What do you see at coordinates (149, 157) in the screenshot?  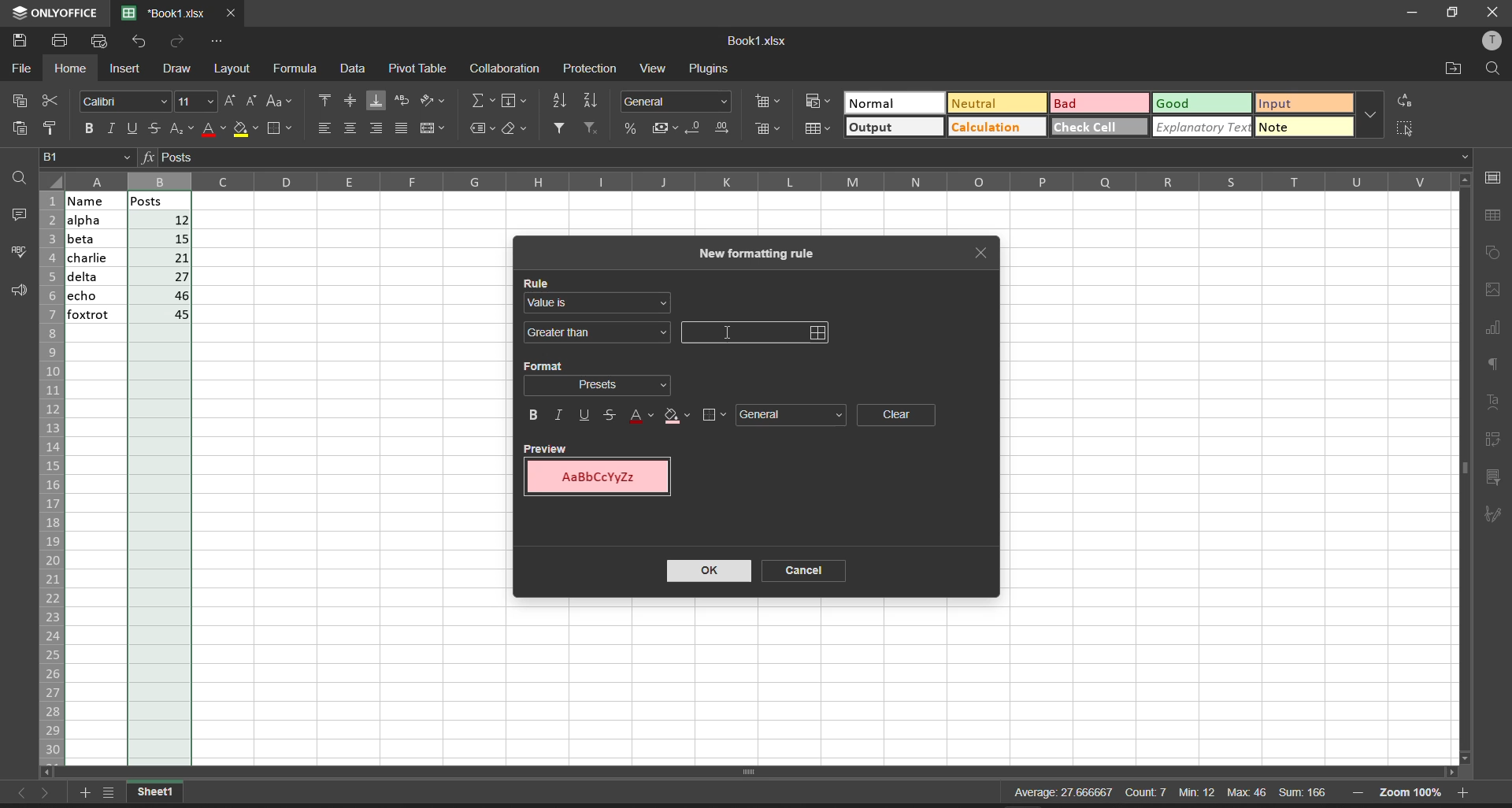 I see `formula` at bounding box center [149, 157].